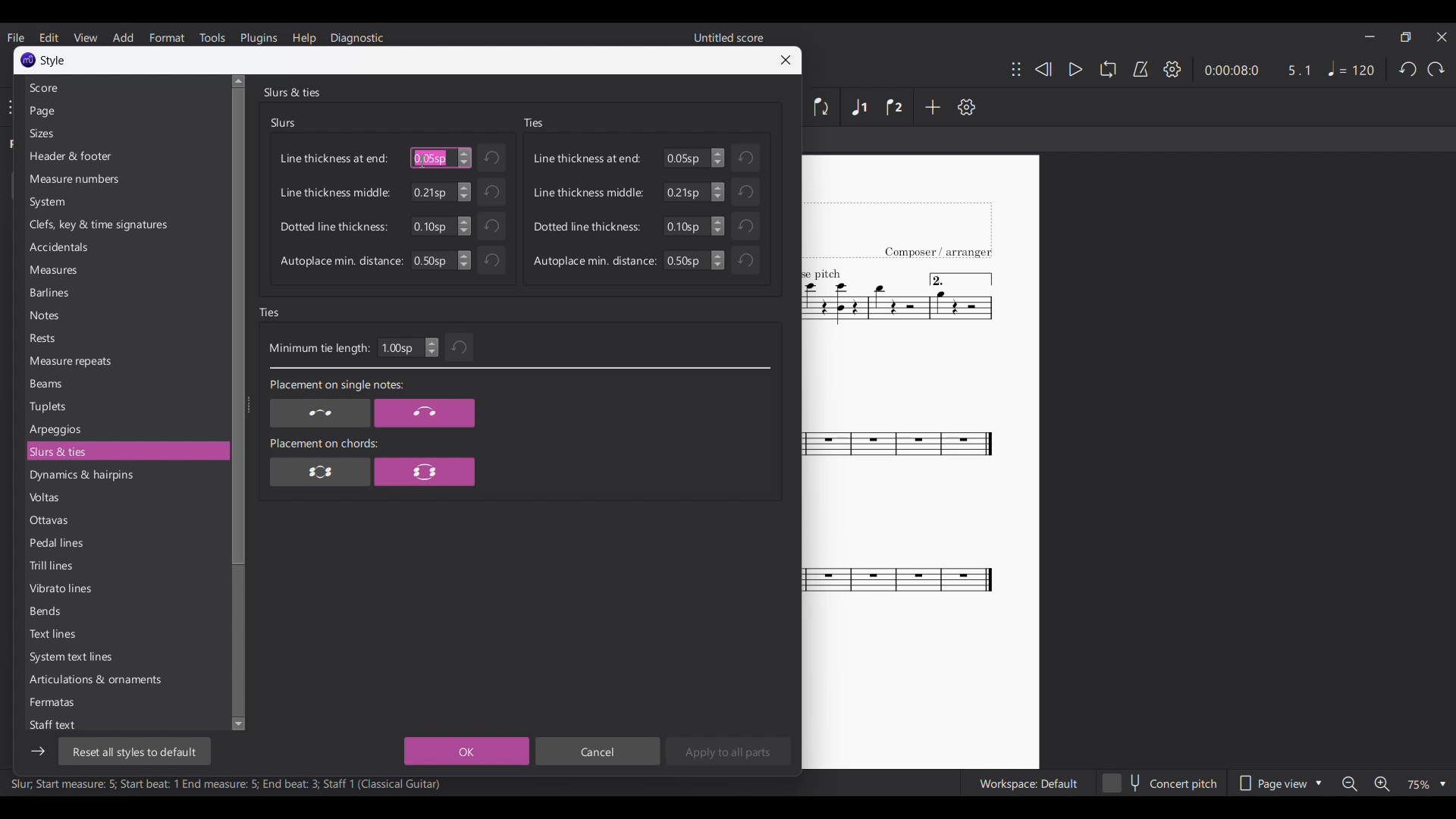 This screenshot has width=1456, height=819. Describe the element at coordinates (1161, 783) in the screenshot. I see `Concert pitch toggle` at that location.